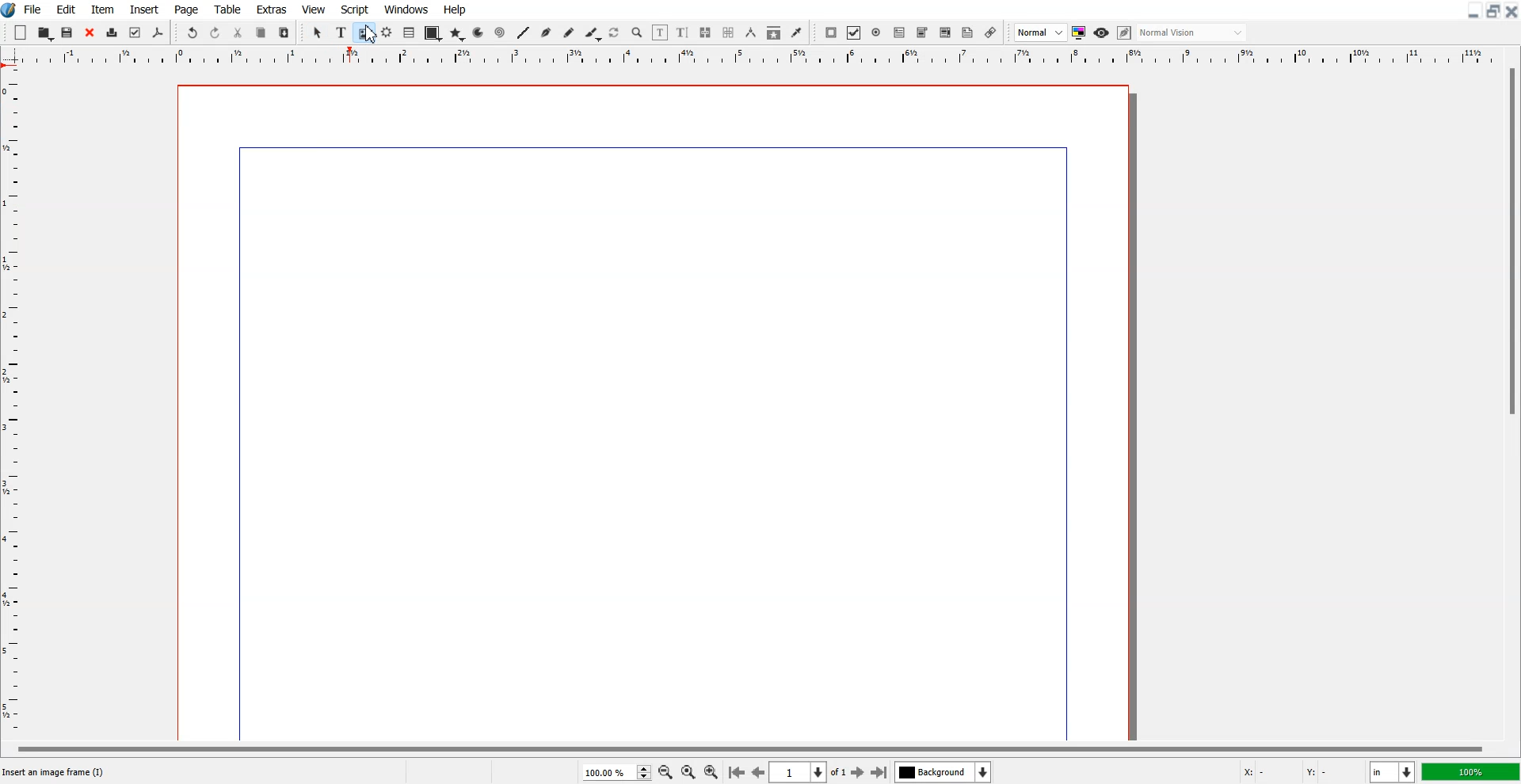 The height and width of the screenshot is (784, 1521). What do you see at coordinates (1393, 771) in the screenshot?
I see `Measurement in inches` at bounding box center [1393, 771].